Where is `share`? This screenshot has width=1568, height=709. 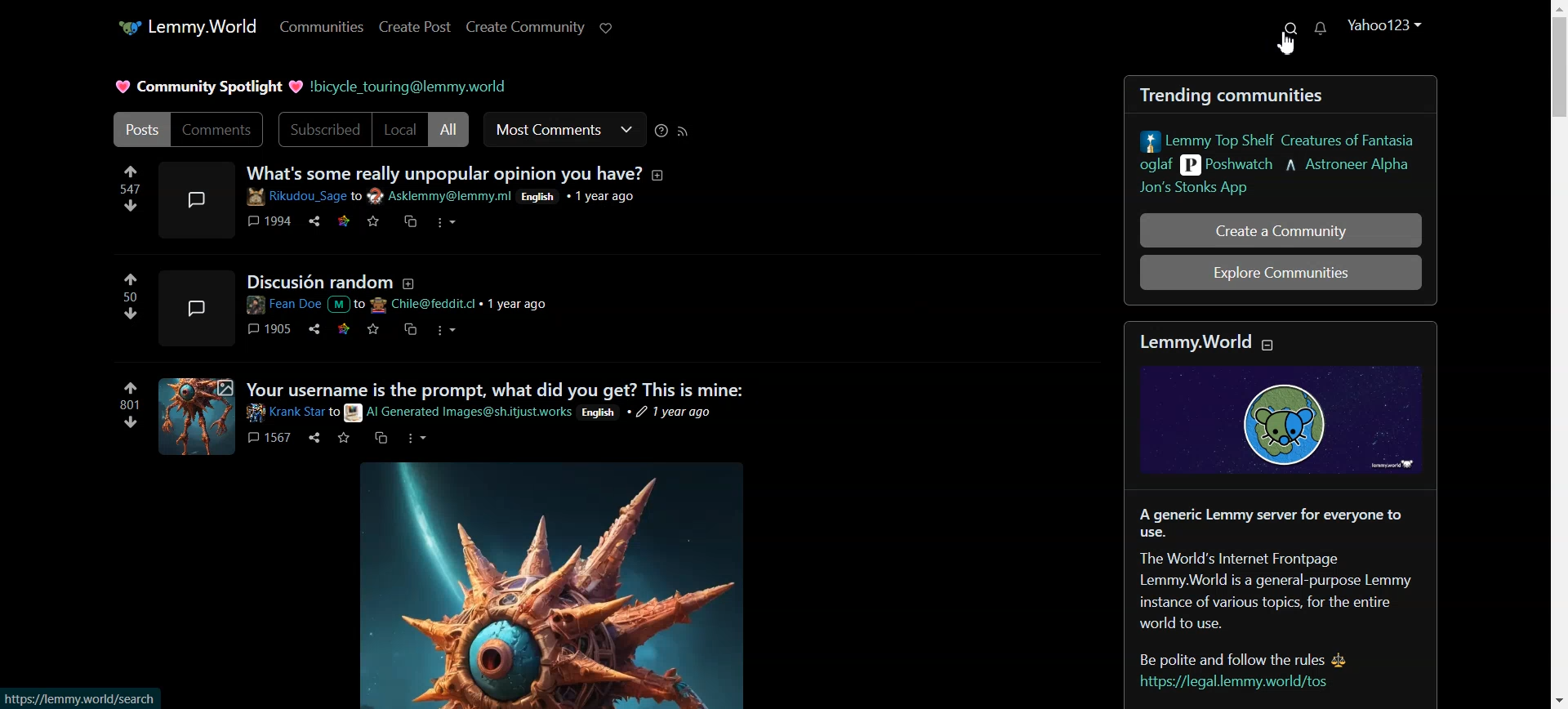 share is located at coordinates (314, 328).